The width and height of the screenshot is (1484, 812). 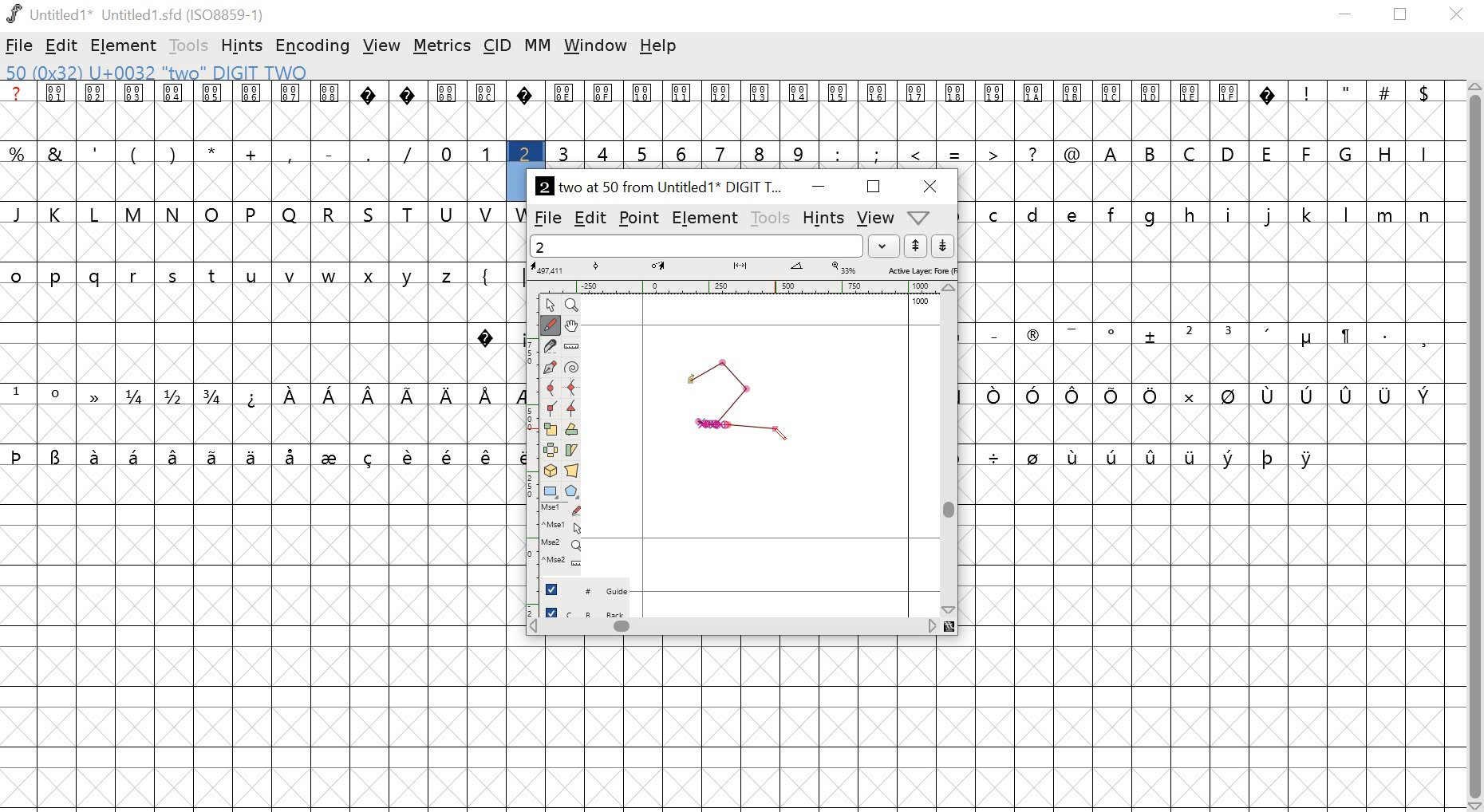 What do you see at coordinates (552, 348) in the screenshot?
I see `knife` at bounding box center [552, 348].